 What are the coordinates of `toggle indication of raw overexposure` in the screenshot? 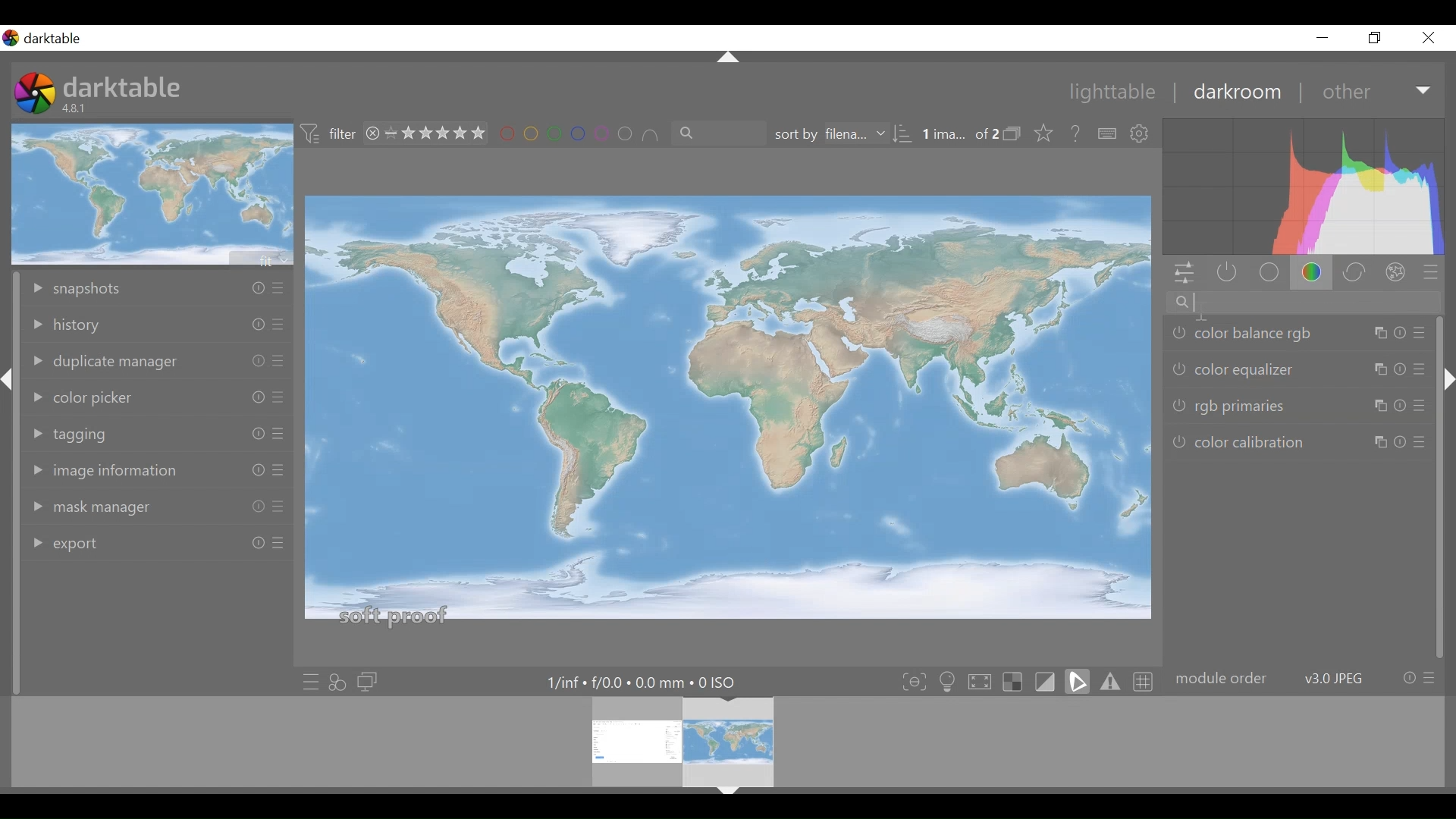 It's located at (1017, 681).